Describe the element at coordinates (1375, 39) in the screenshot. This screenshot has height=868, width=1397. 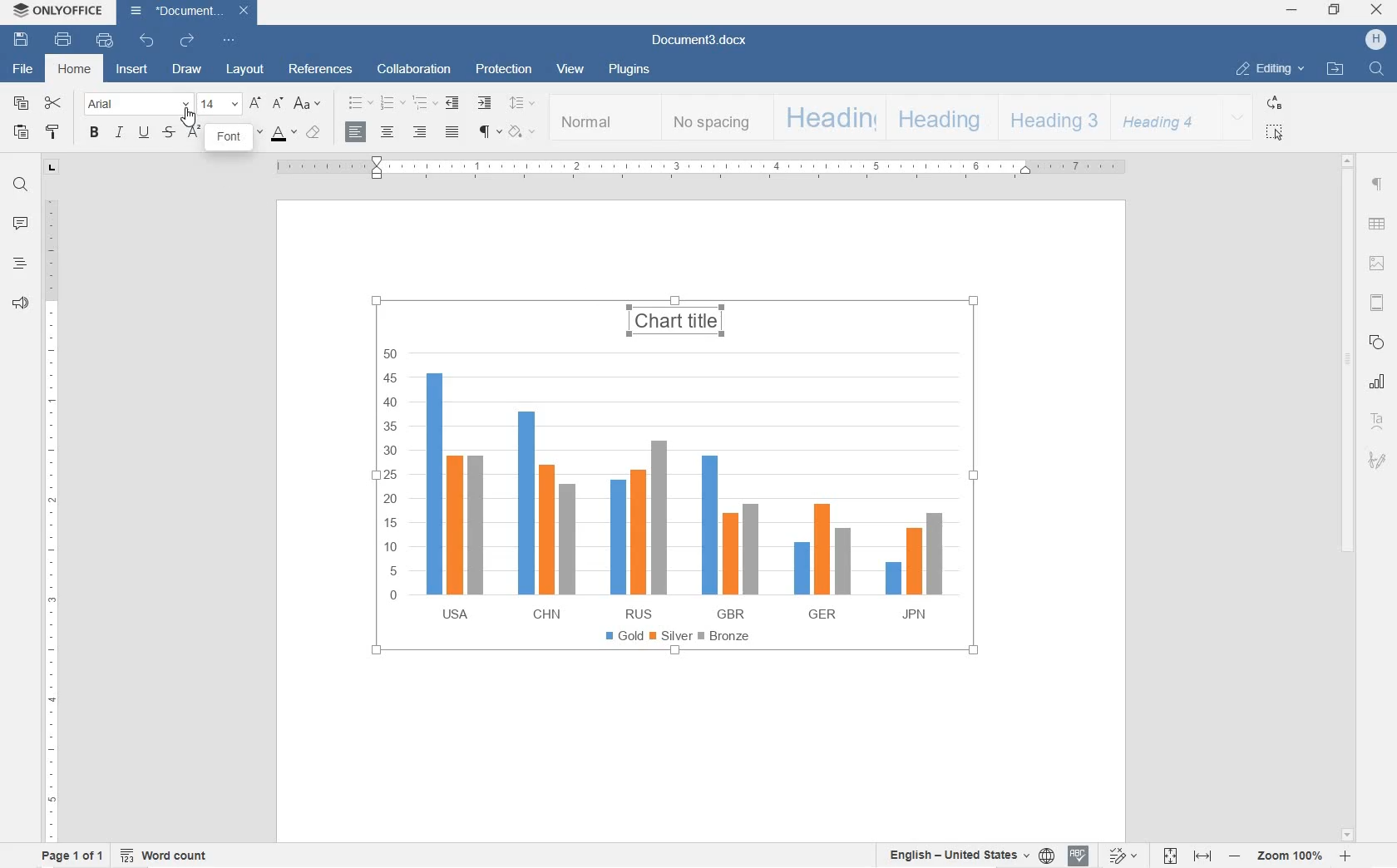
I see `HP` at that location.